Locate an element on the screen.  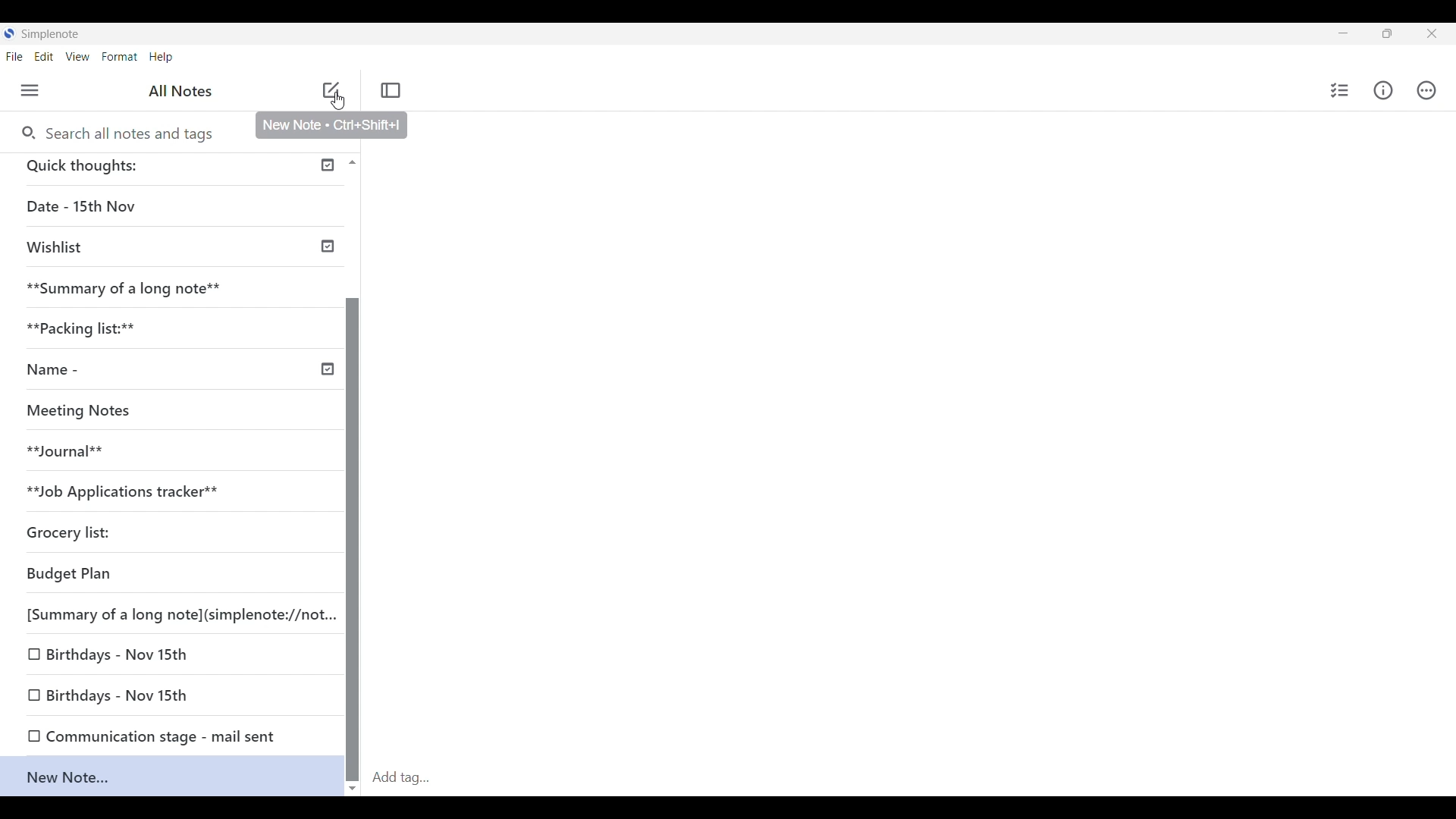
Budget Plan is located at coordinates (170, 573).